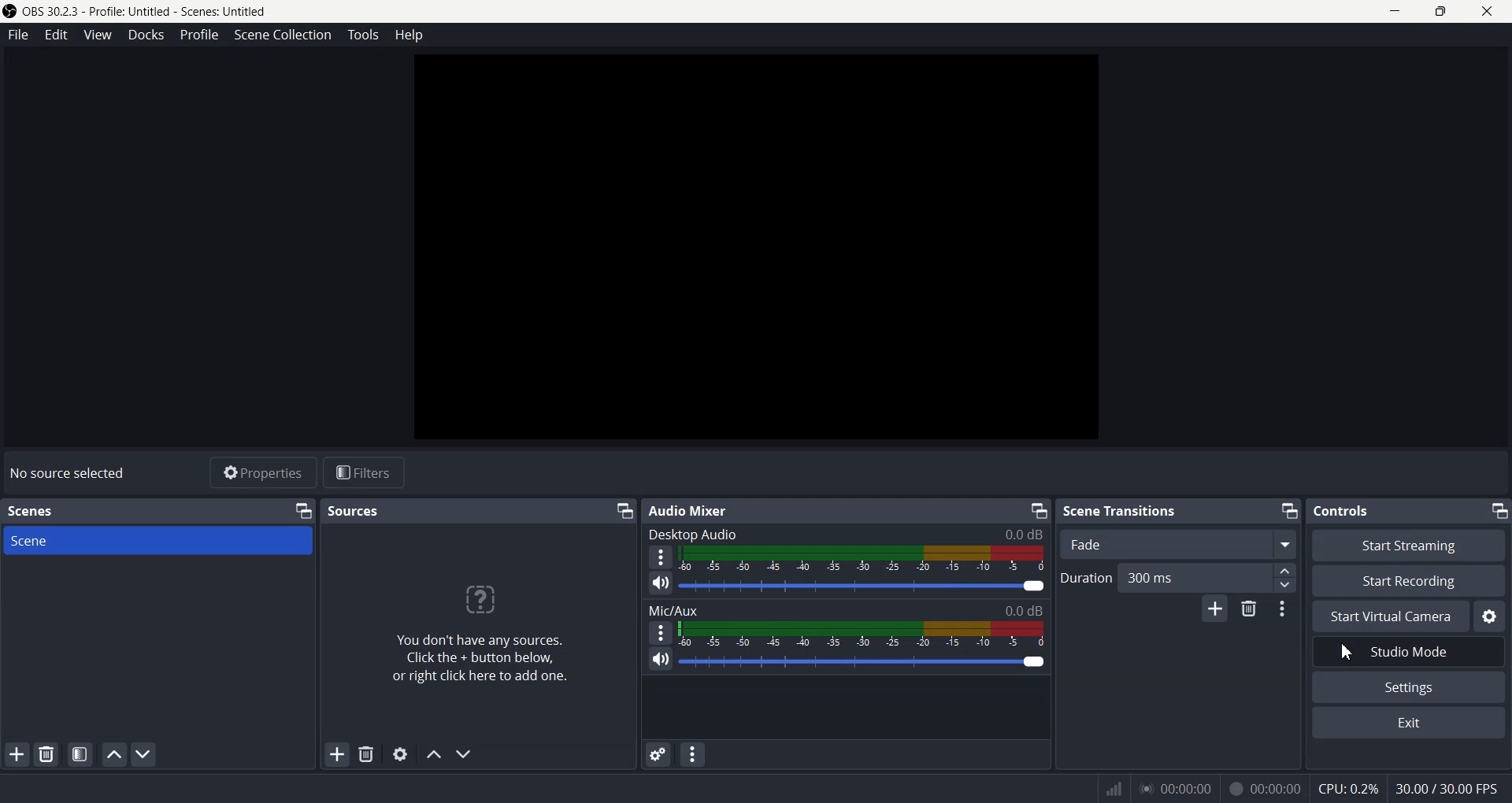 This screenshot has height=803, width=1512. I want to click on Scene collection, so click(283, 35).